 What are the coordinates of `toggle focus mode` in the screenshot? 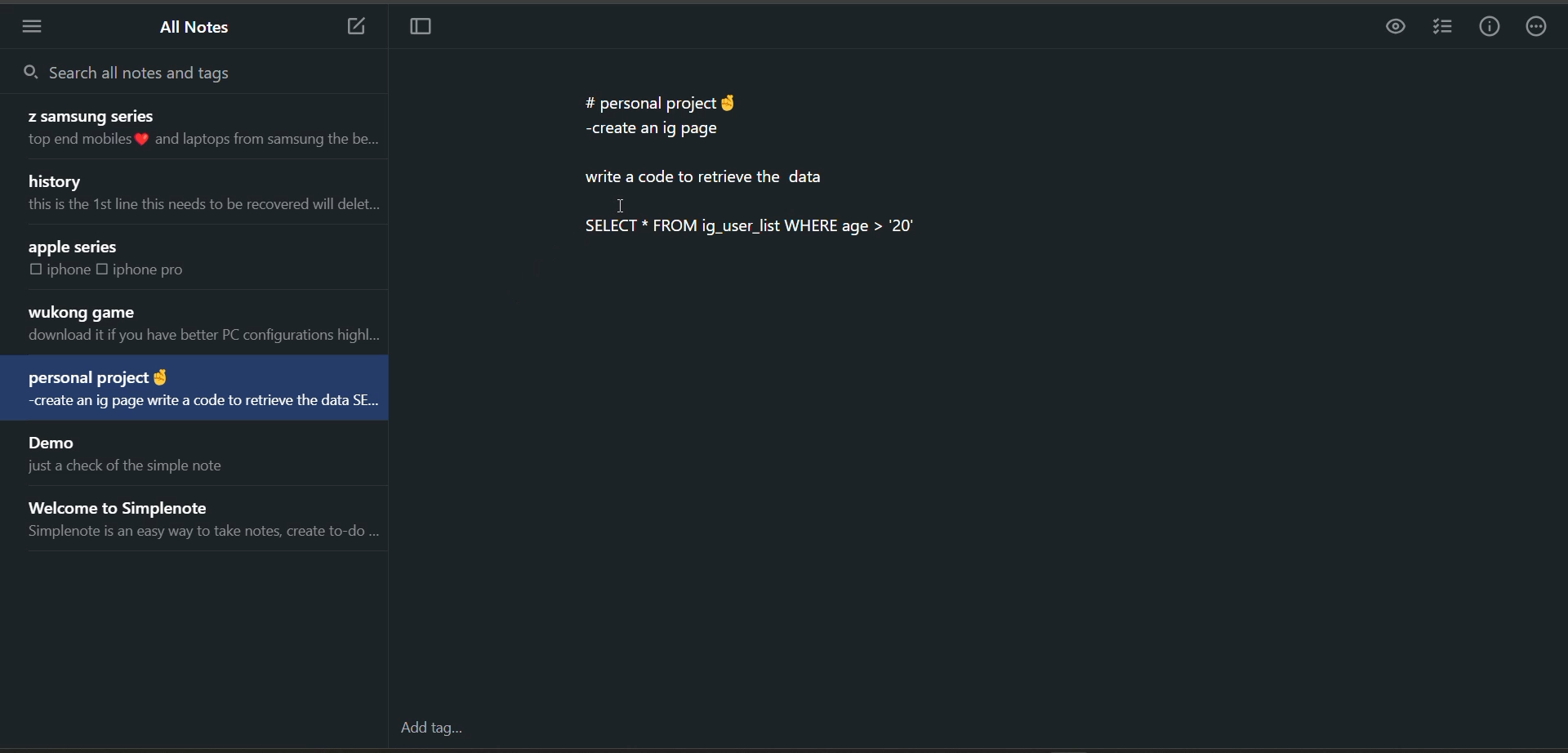 It's located at (425, 30).